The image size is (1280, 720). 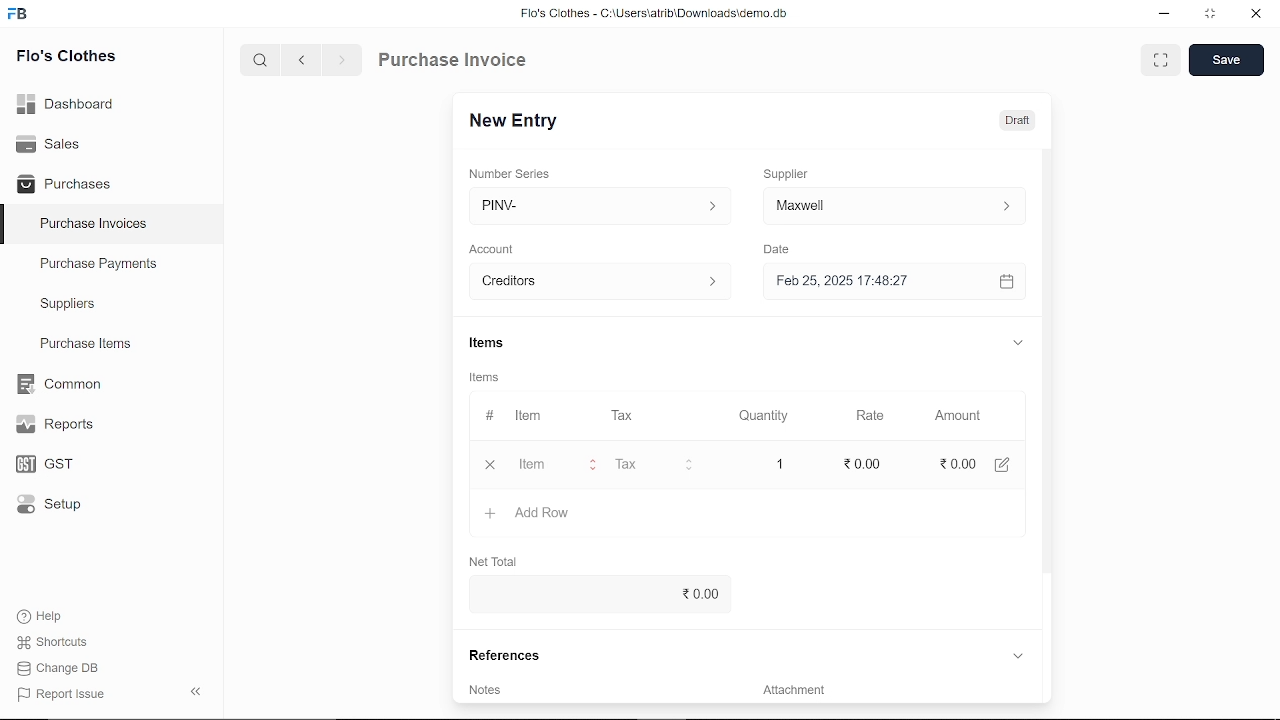 I want to click on full view, so click(x=1162, y=60).